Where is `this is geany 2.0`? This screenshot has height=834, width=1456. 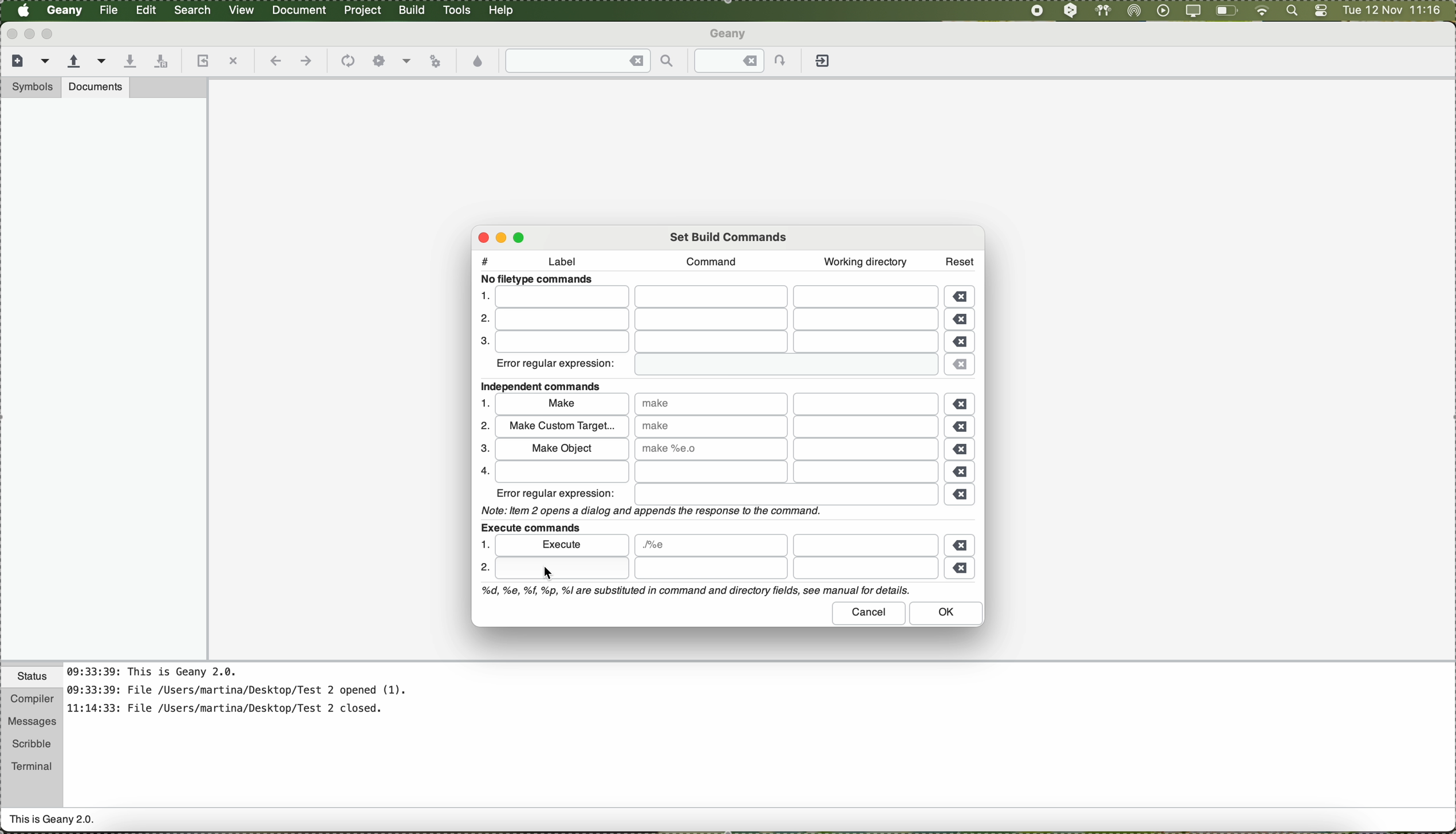 this is geany 2.0 is located at coordinates (53, 821).